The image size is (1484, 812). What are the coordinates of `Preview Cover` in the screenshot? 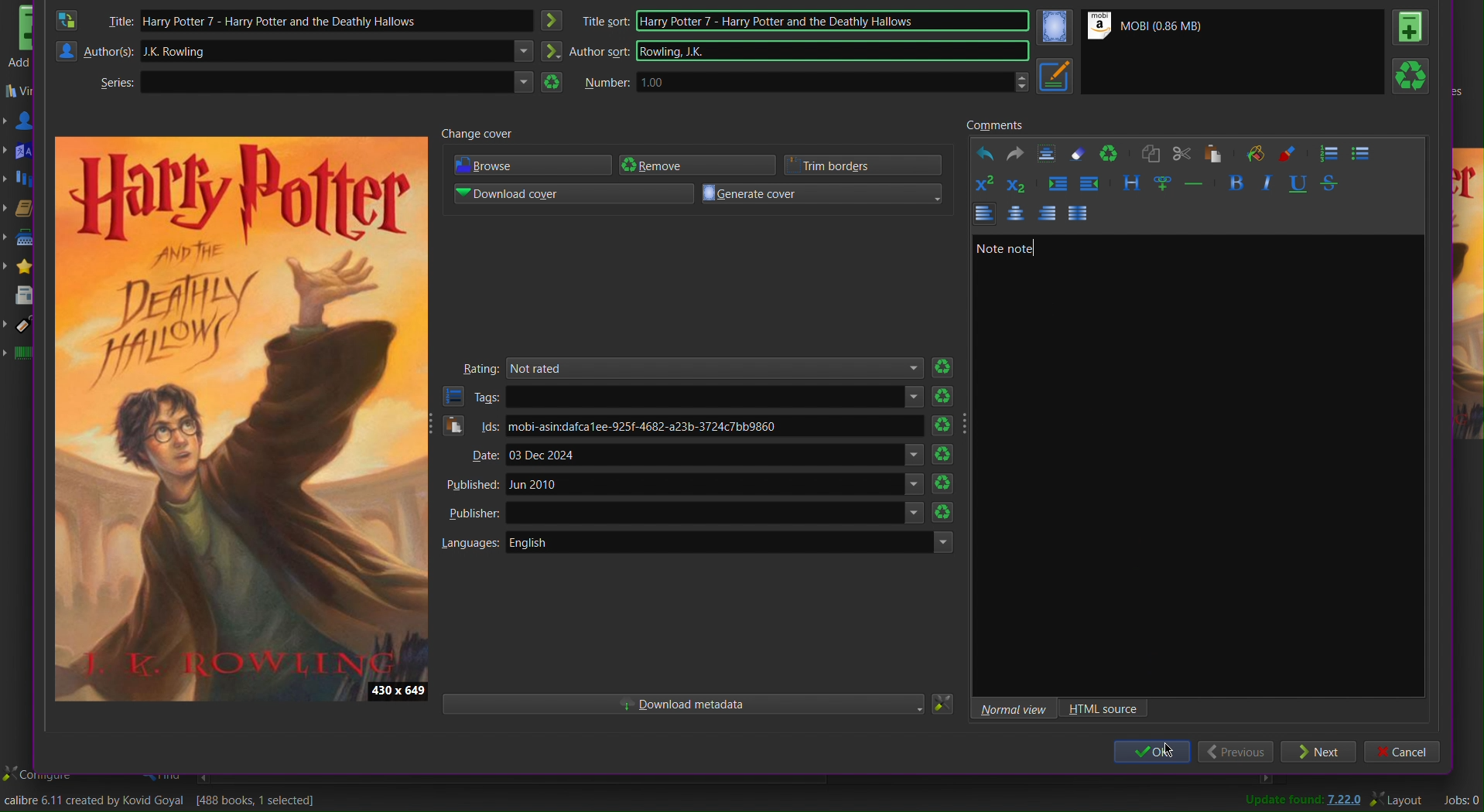 It's located at (241, 418).